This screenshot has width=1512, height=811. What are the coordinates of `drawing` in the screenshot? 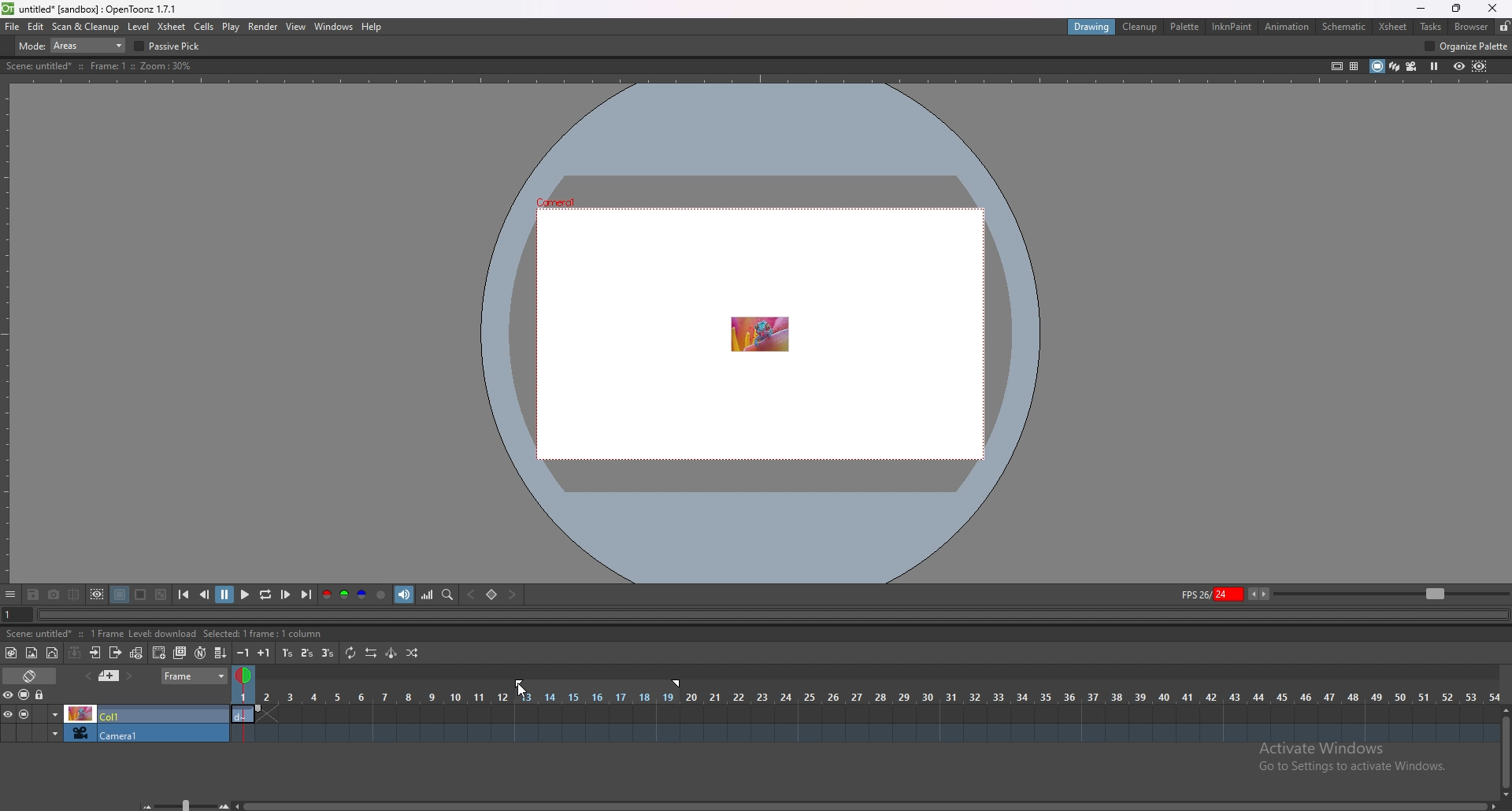 It's located at (1094, 27).